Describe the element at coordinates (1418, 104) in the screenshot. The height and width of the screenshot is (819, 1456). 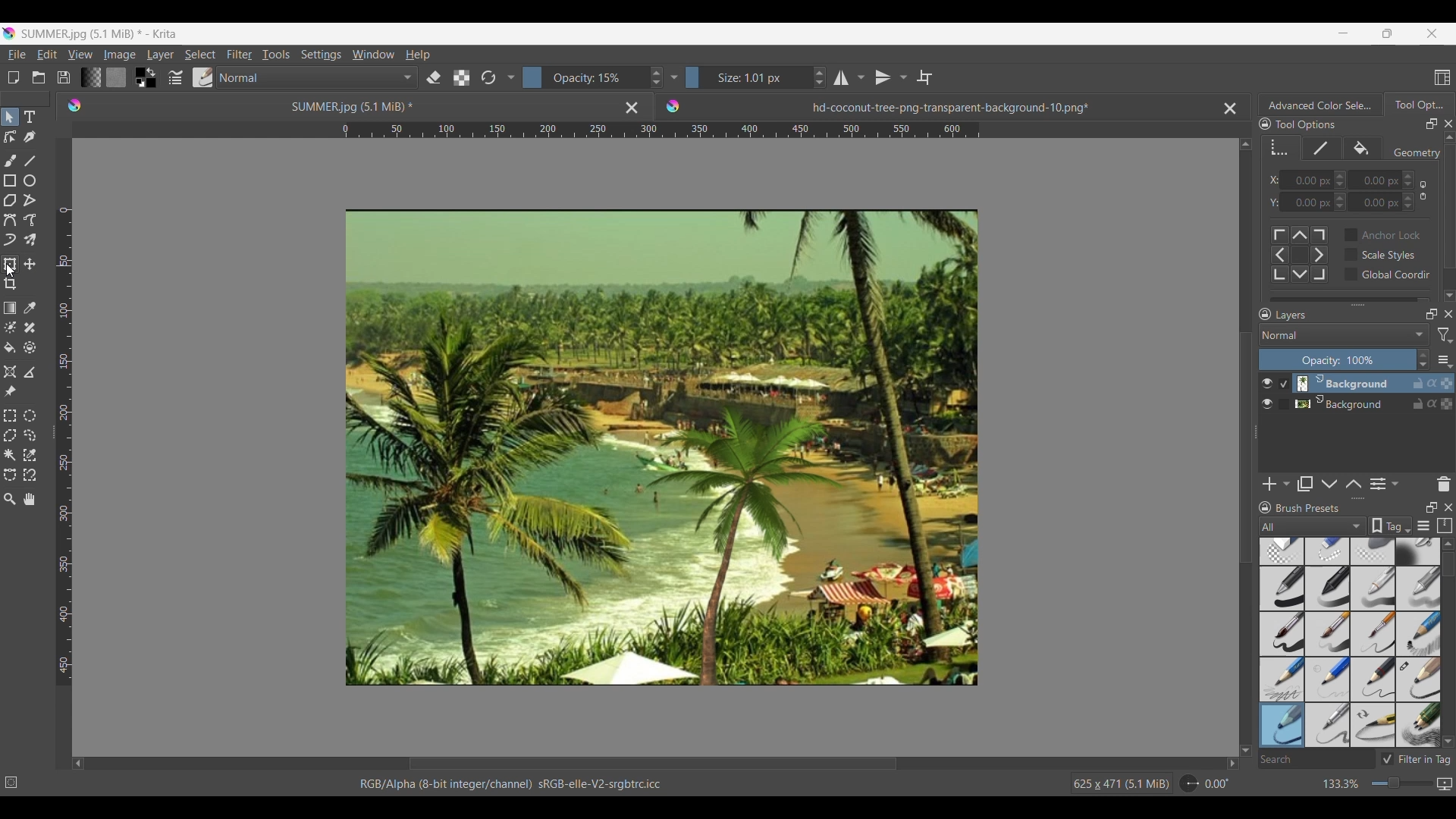
I see `Tool options panel` at that location.